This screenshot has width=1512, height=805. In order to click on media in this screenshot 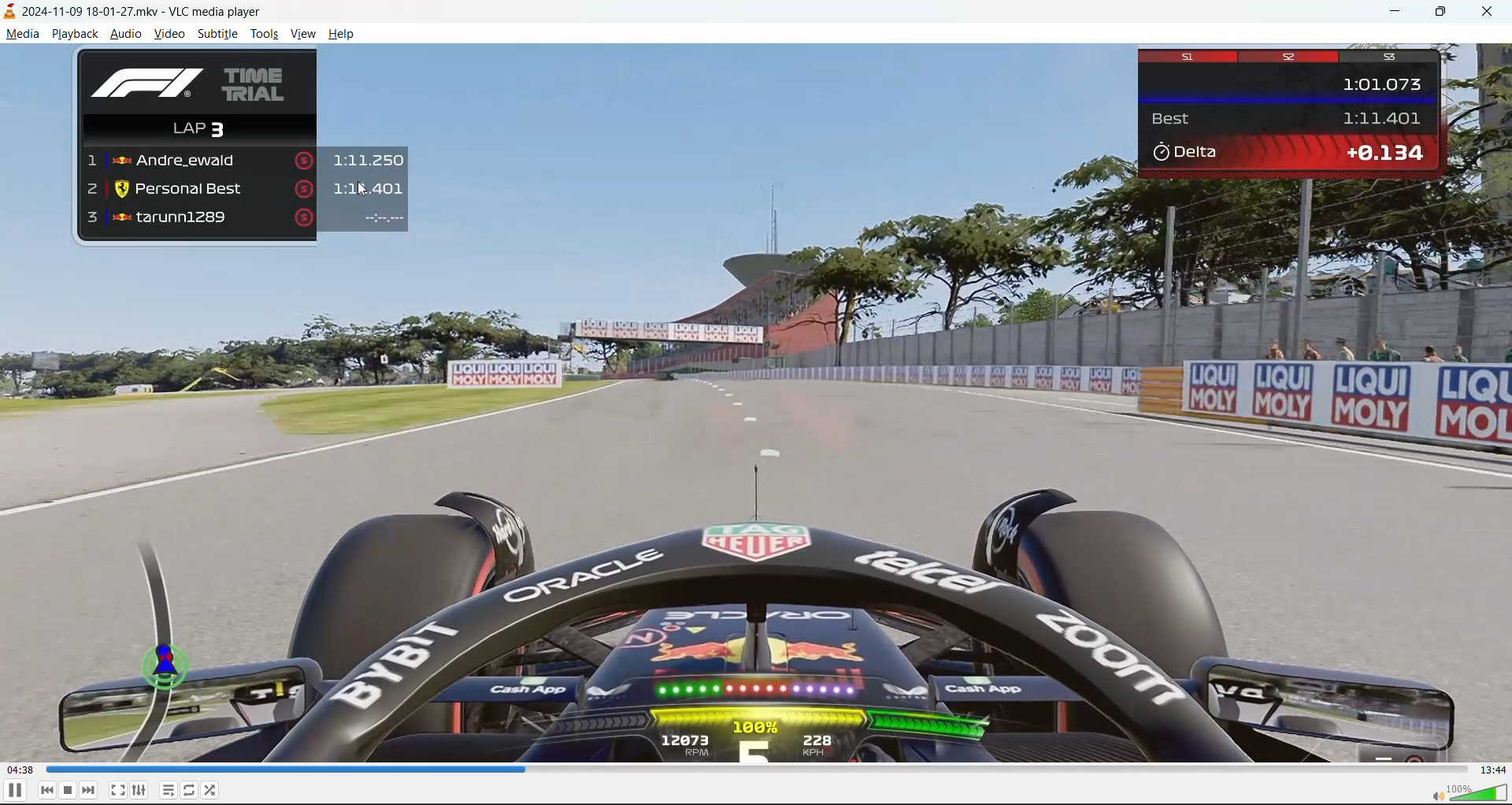, I will do `click(20, 34)`.